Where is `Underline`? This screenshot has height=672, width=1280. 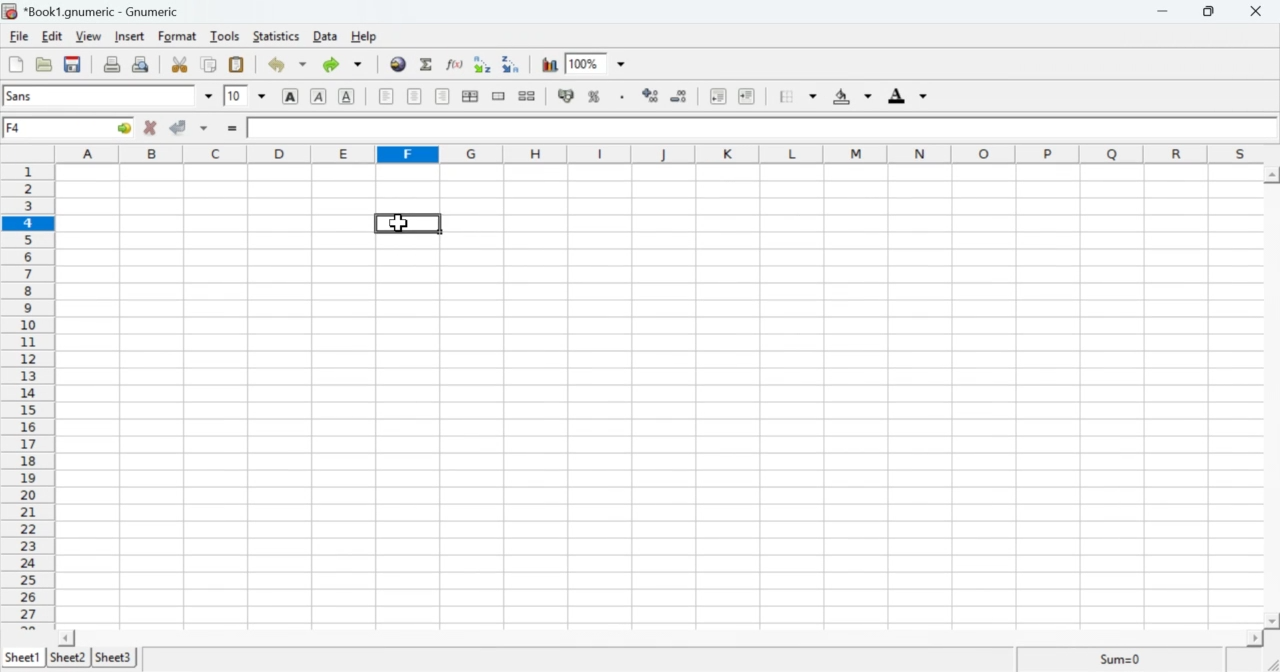
Underline is located at coordinates (347, 97).